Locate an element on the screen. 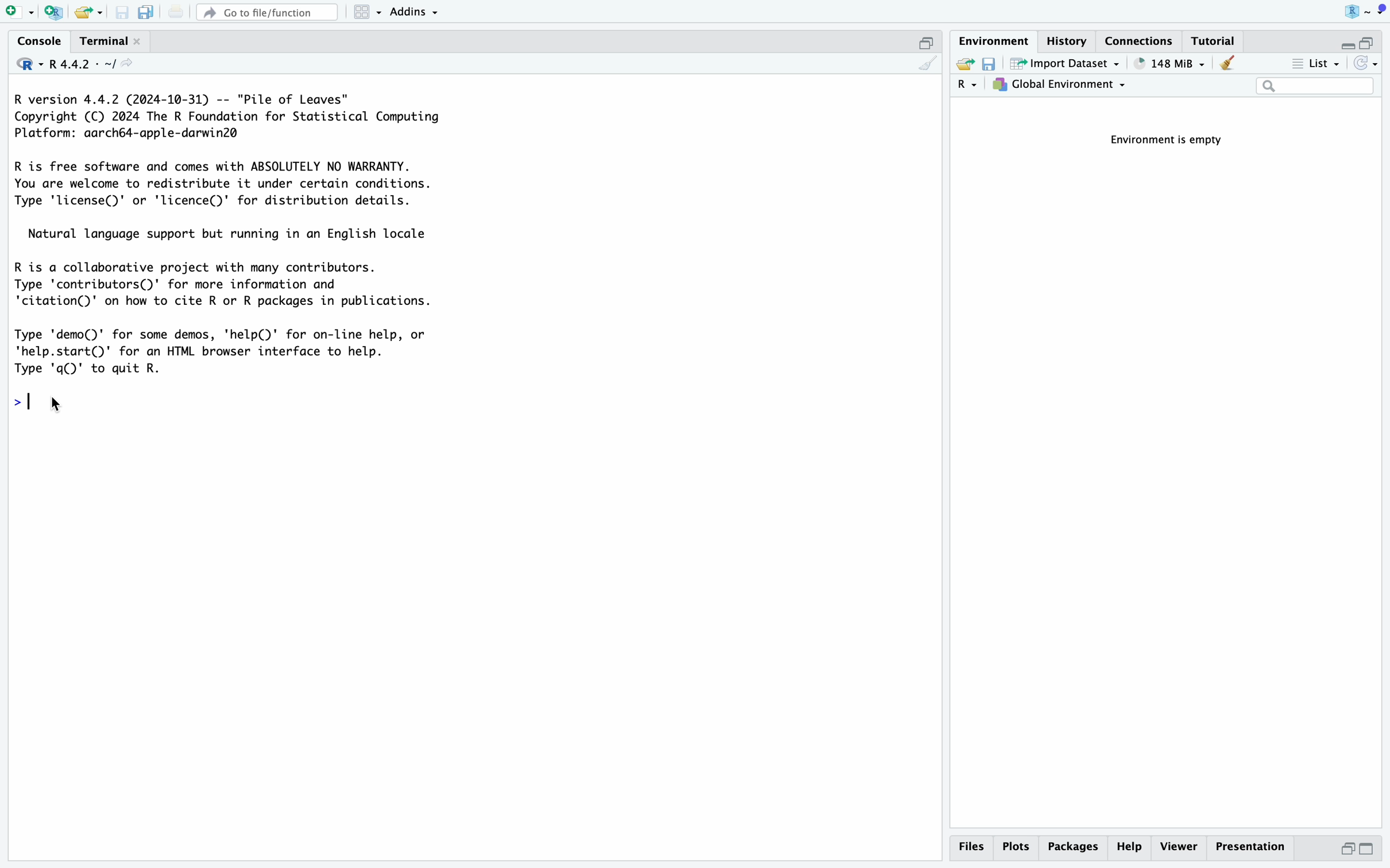  description of support is located at coordinates (235, 232).